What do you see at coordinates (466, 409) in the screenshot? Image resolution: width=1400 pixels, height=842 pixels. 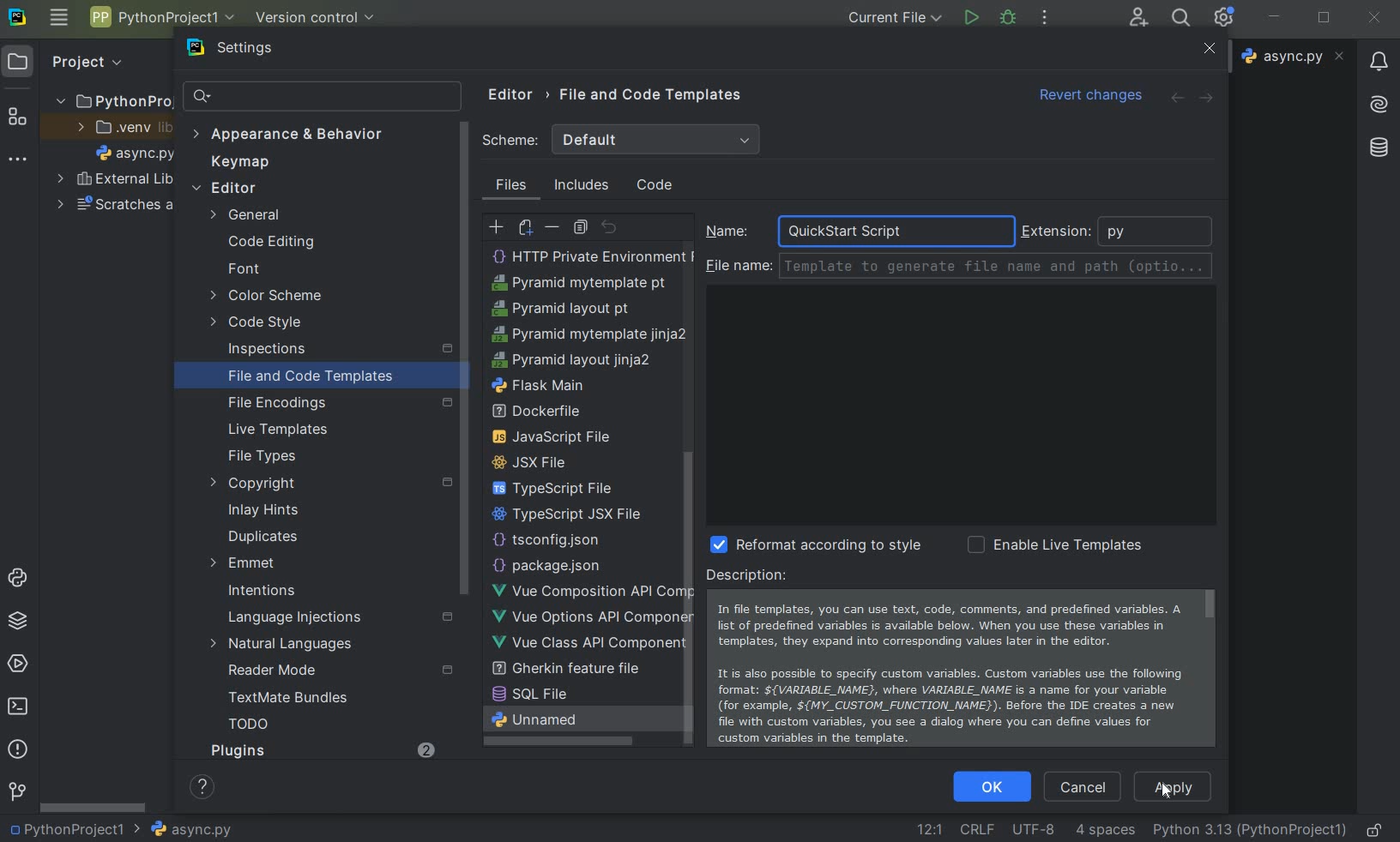 I see `scrollbar` at bounding box center [466, 409].